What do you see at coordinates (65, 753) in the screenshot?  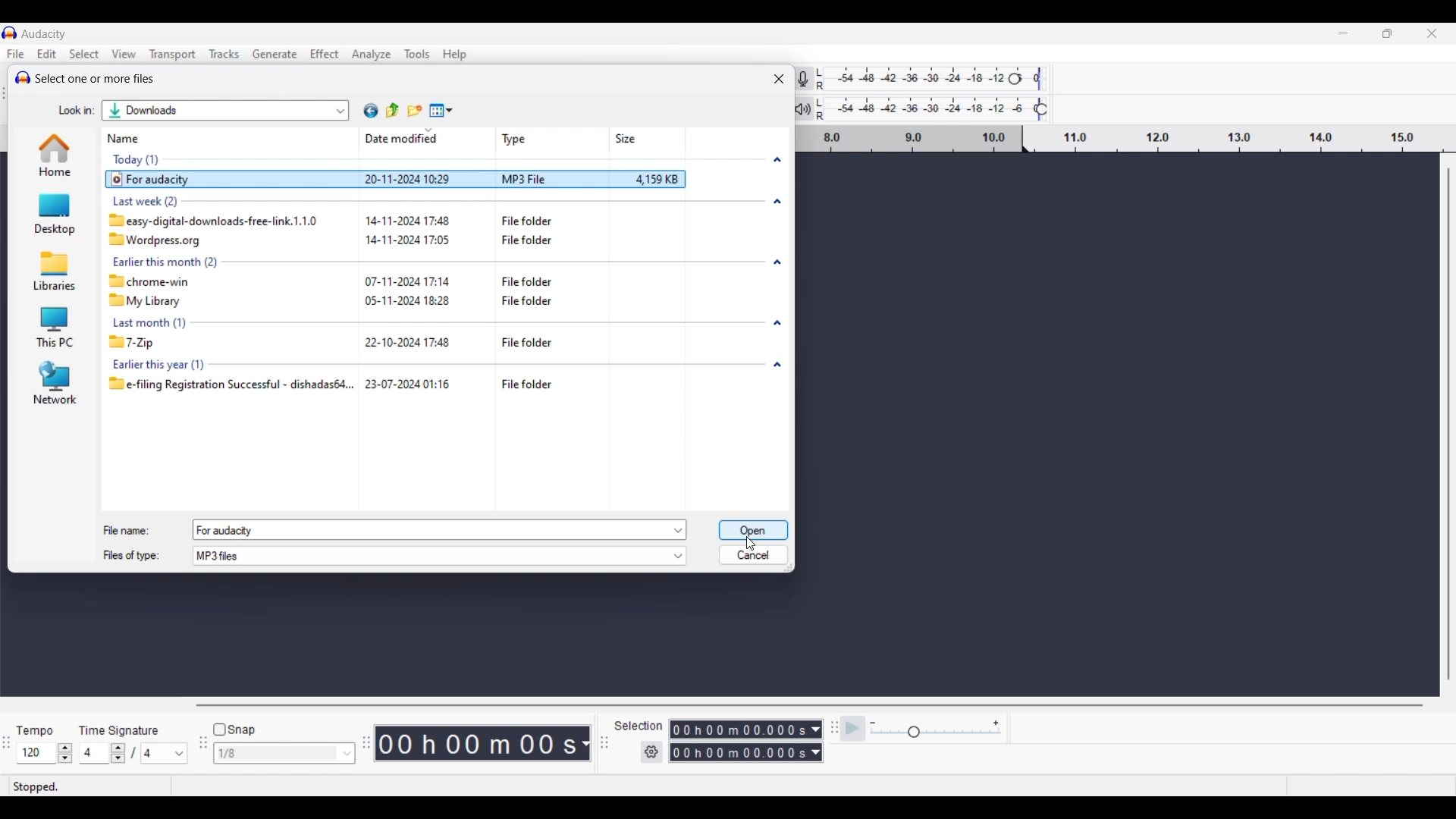 I see `Increase/Decrease tempo` at bounding box center [65, 753].